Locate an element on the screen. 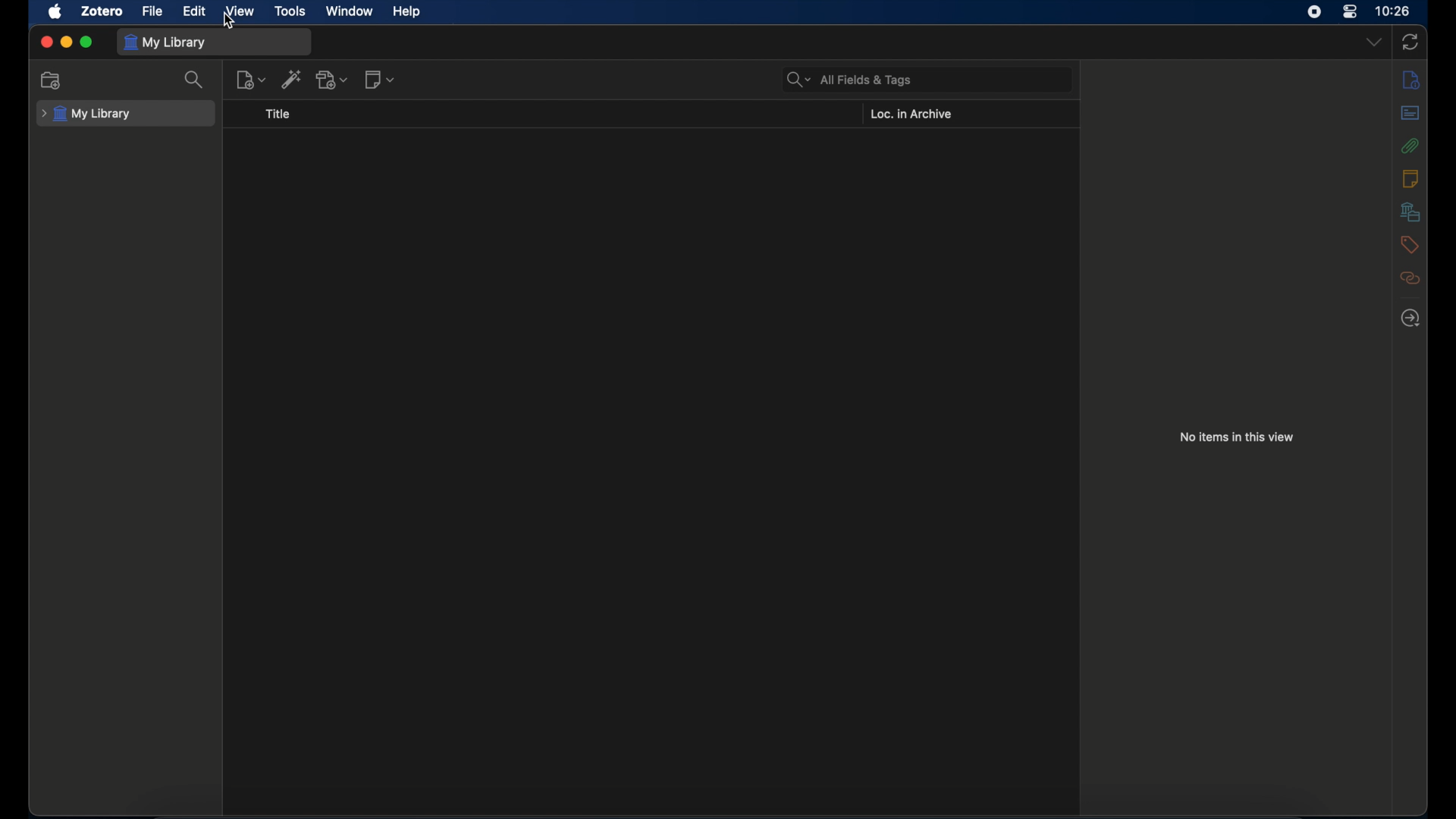  abstract is located at coordinates (1409, 112).